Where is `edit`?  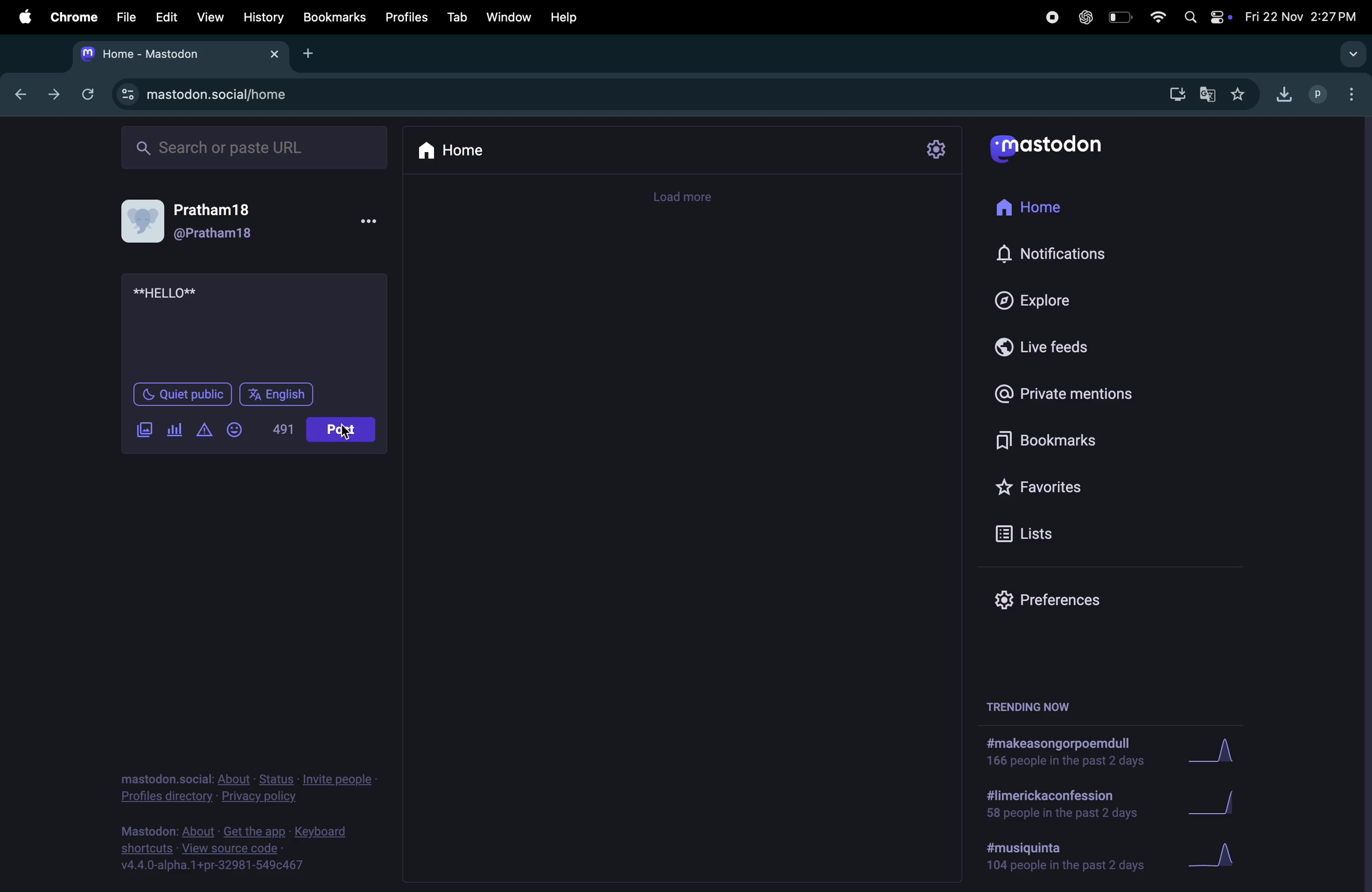
edit is located at coordinates (167, 14).